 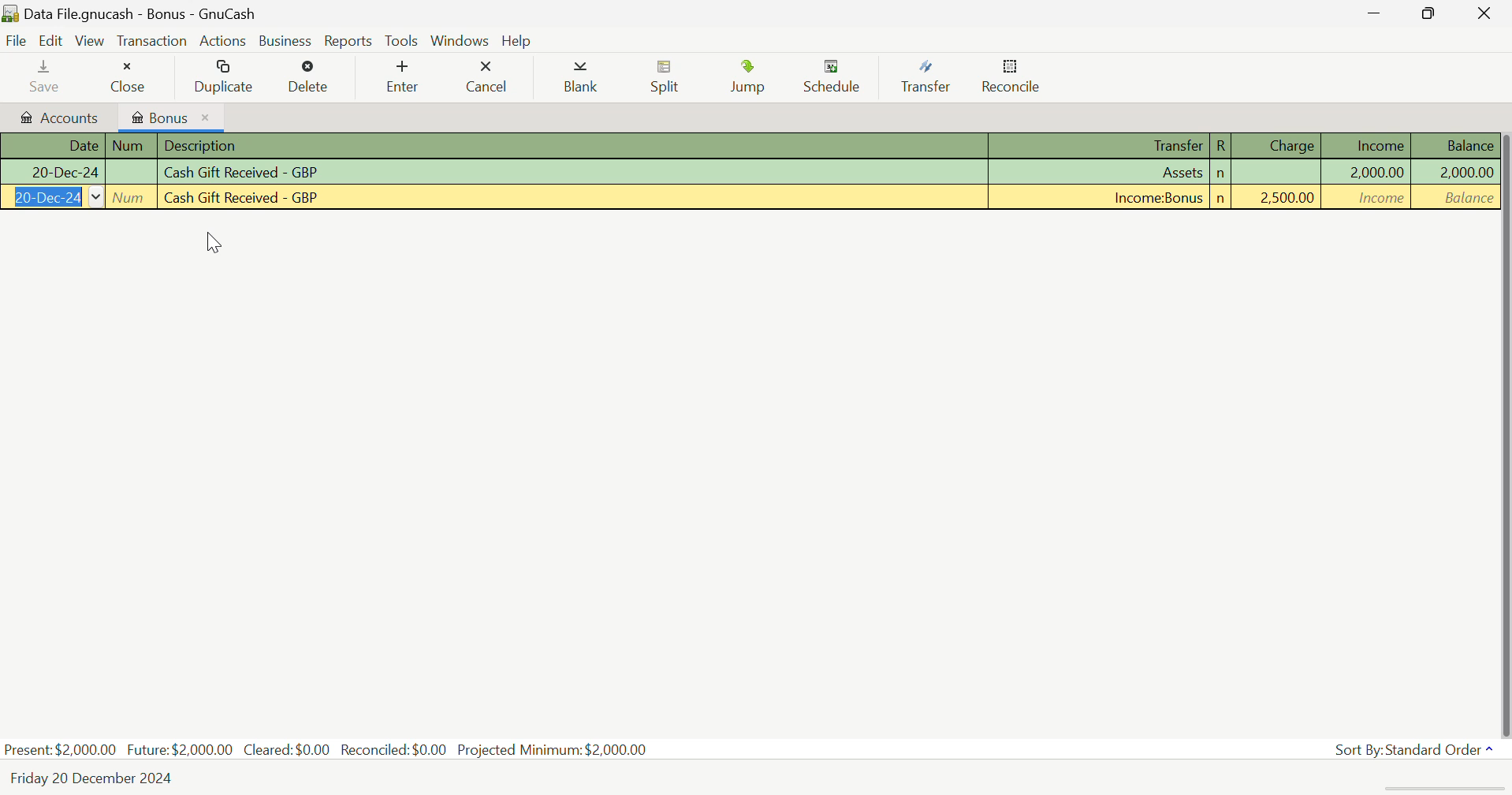 What do you see at coordinates (291, 749) in the screenshot?
I see `Cleared` at bounding box center [291, 749].